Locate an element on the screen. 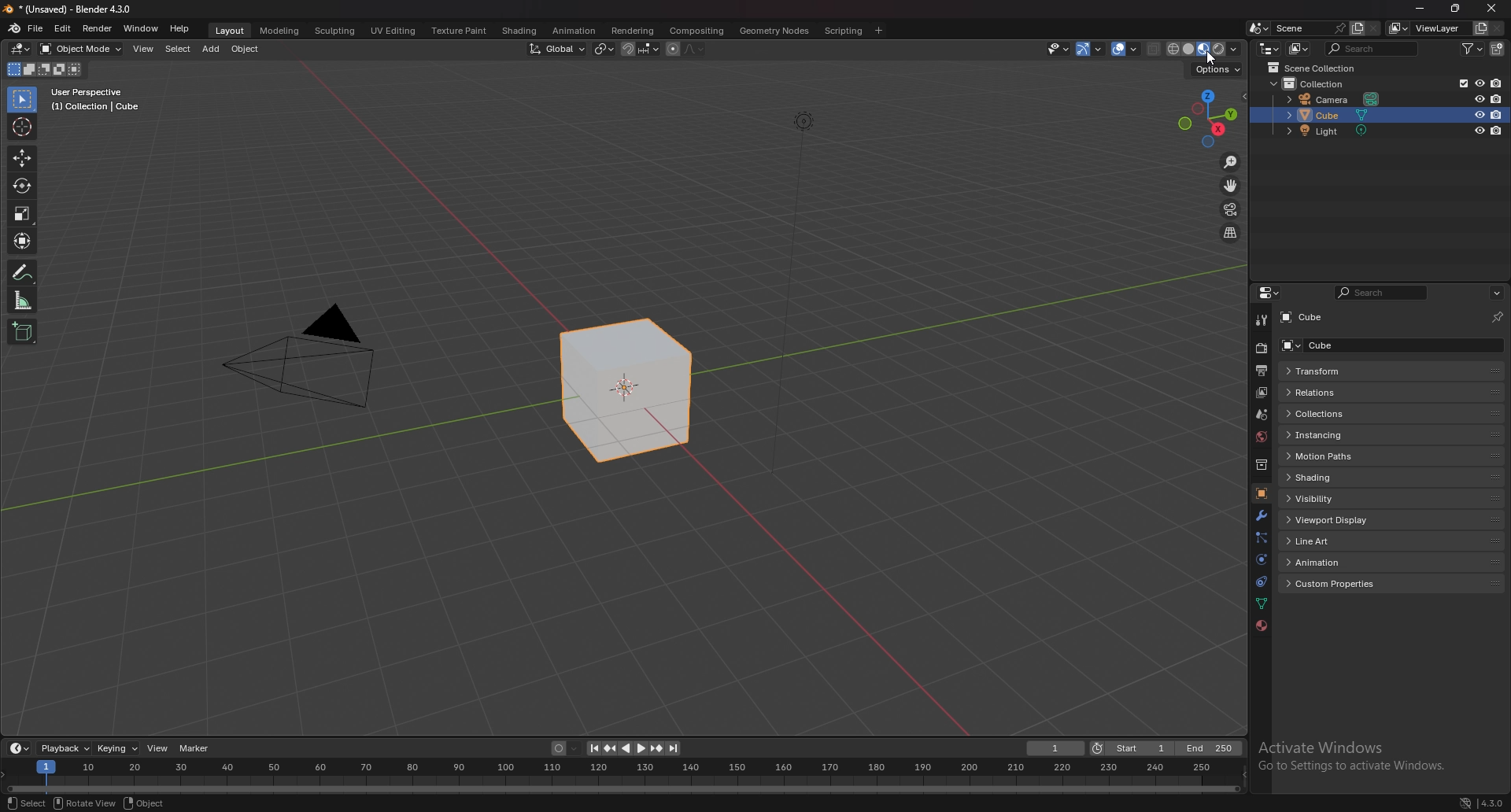 This screenshot has height=812, width=1511. move is located at coordinates (24, 158).